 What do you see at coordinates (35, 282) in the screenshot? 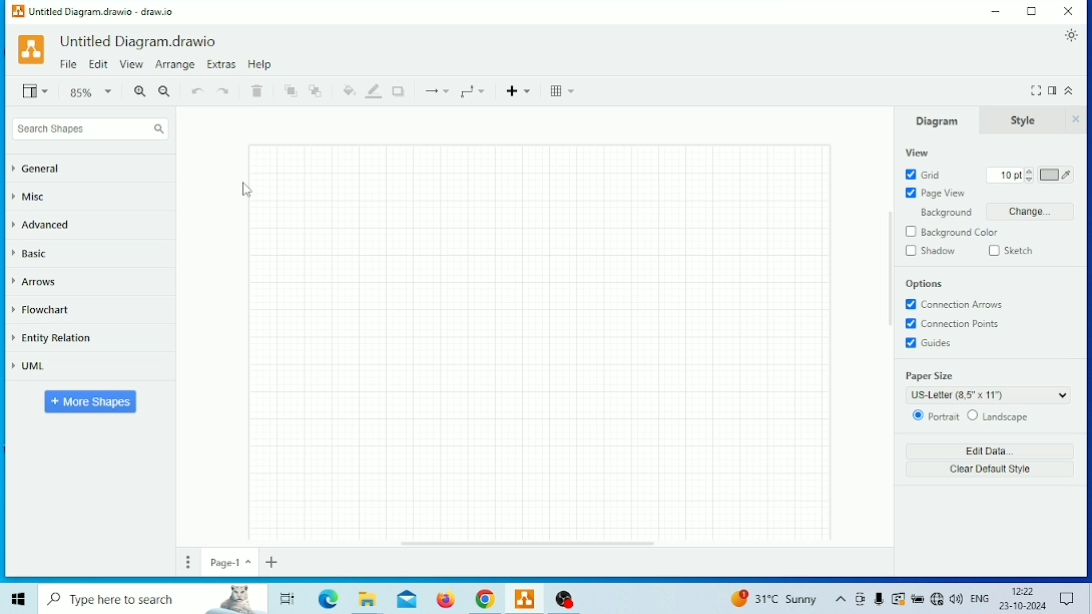
I see `Arrows` at bounding box center [35, 282].